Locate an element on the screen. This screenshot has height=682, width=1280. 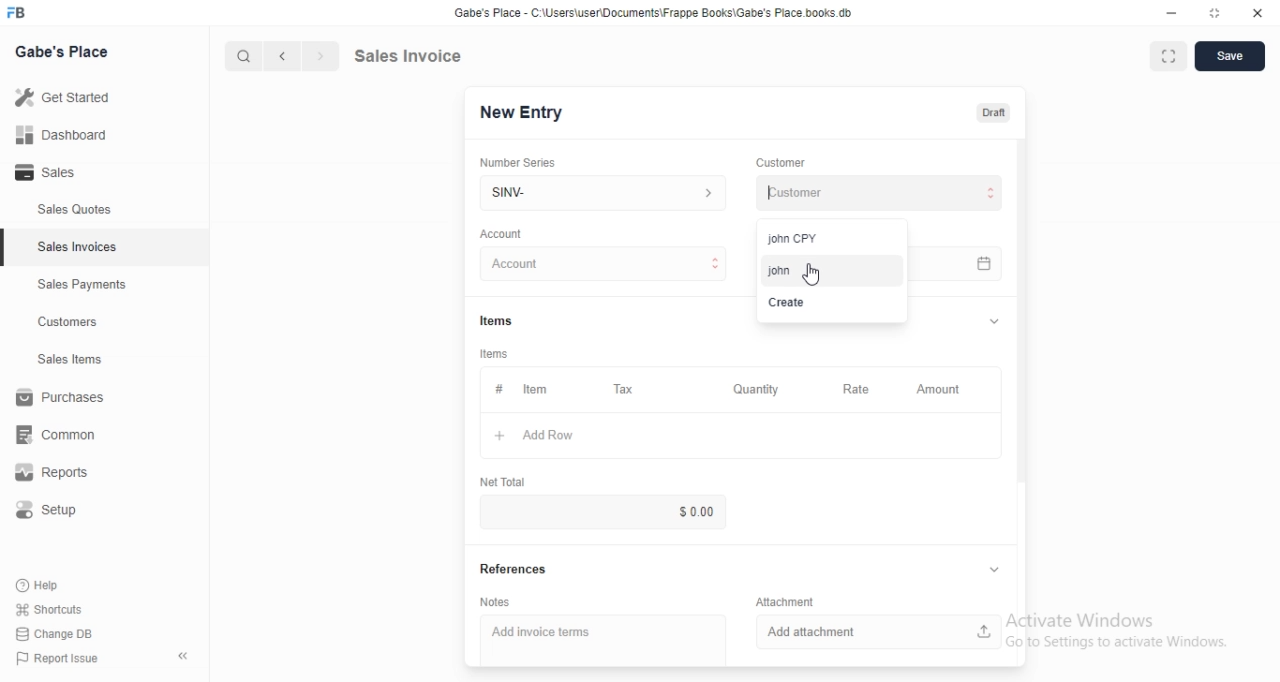
close is located at coordinates (1257, 14).